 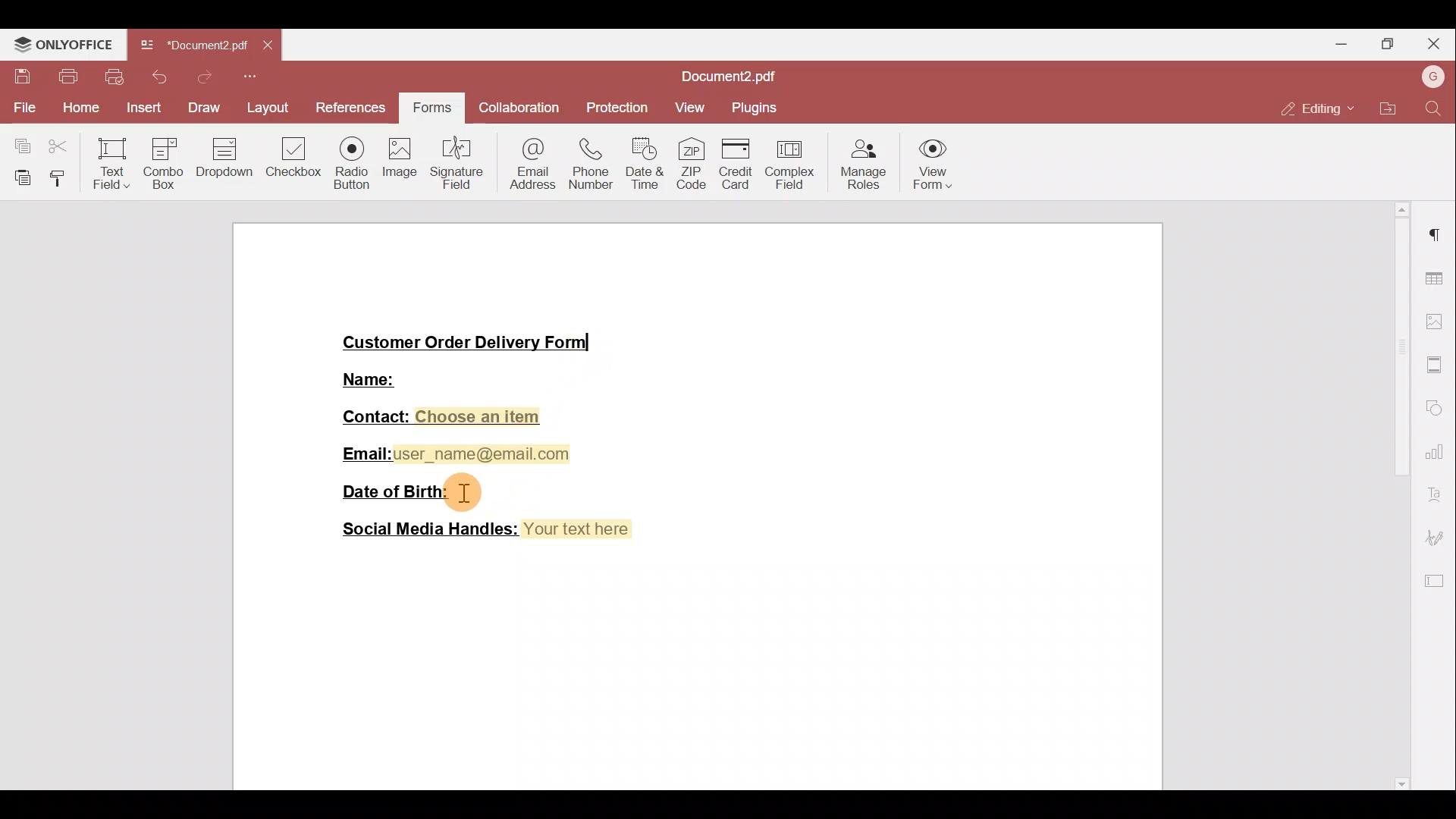 What do you see at coordinates (430, 109) in the screenshot?
I see `Forms` at bounding box center [430, 109].